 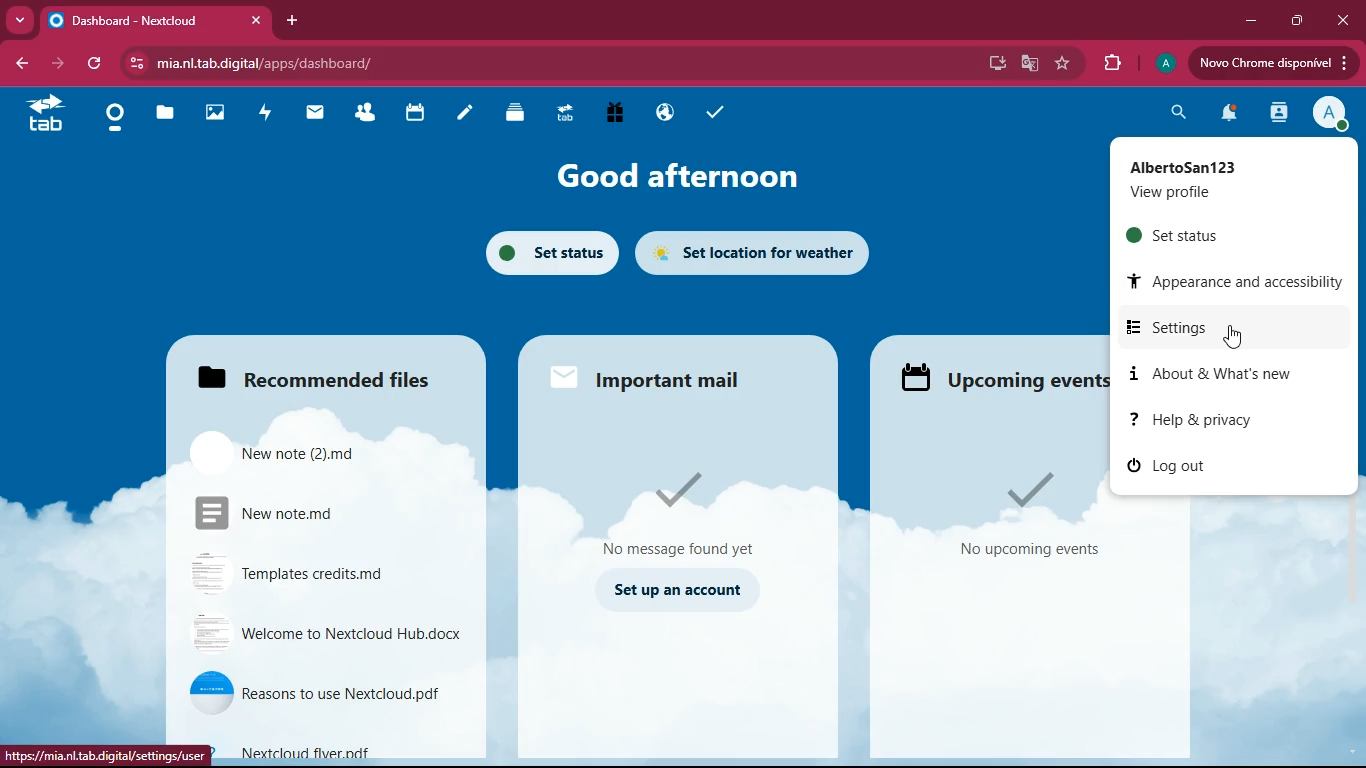 What do you see at coordinates (1273, 63) in the screenshot?
I see `update` at bounding box center [1273, 63].